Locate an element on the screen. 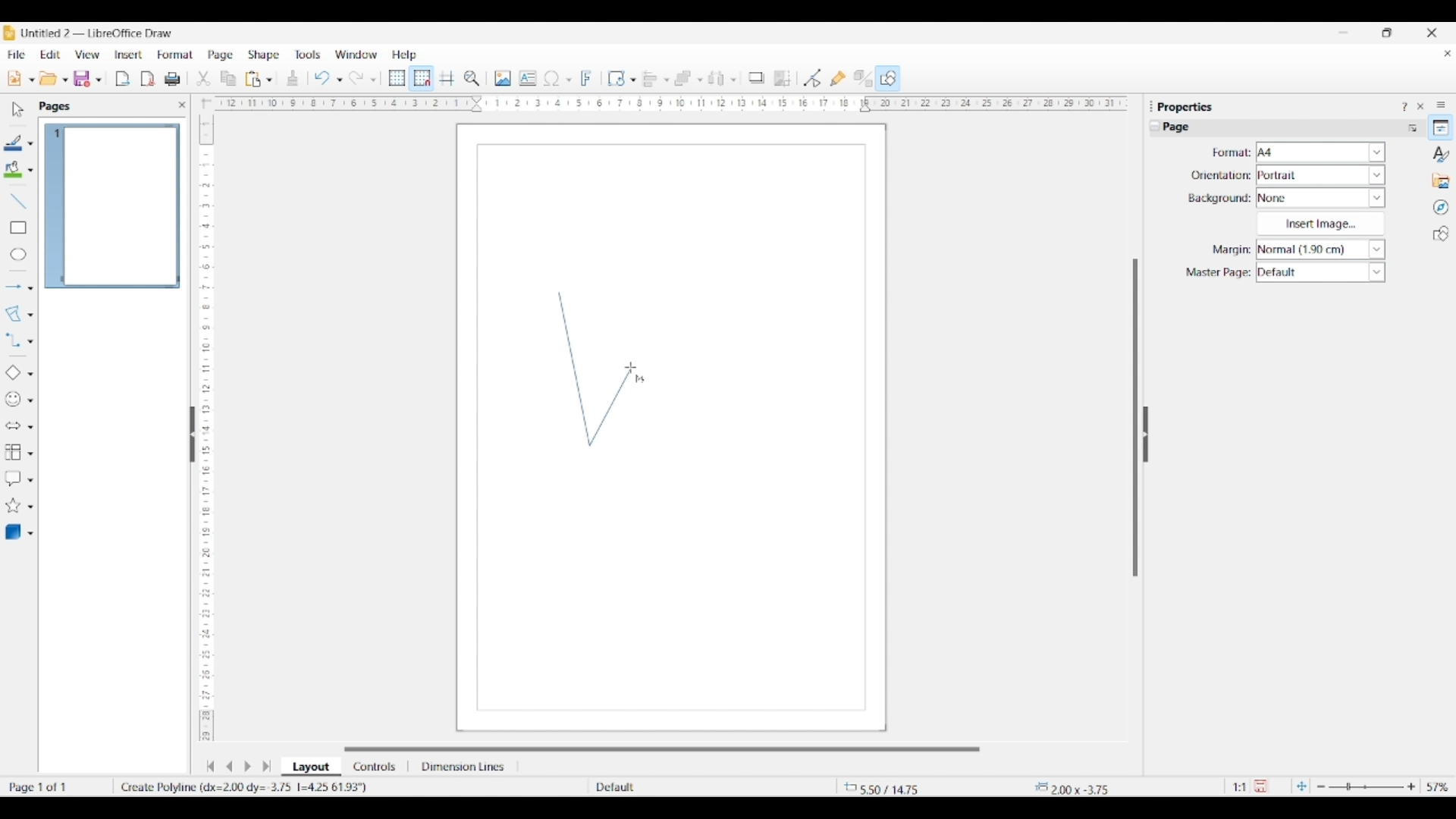 Image resolution: width=1456 pixels, height=819 pixels. Selected arrangement is located at coordinates (683, 79).